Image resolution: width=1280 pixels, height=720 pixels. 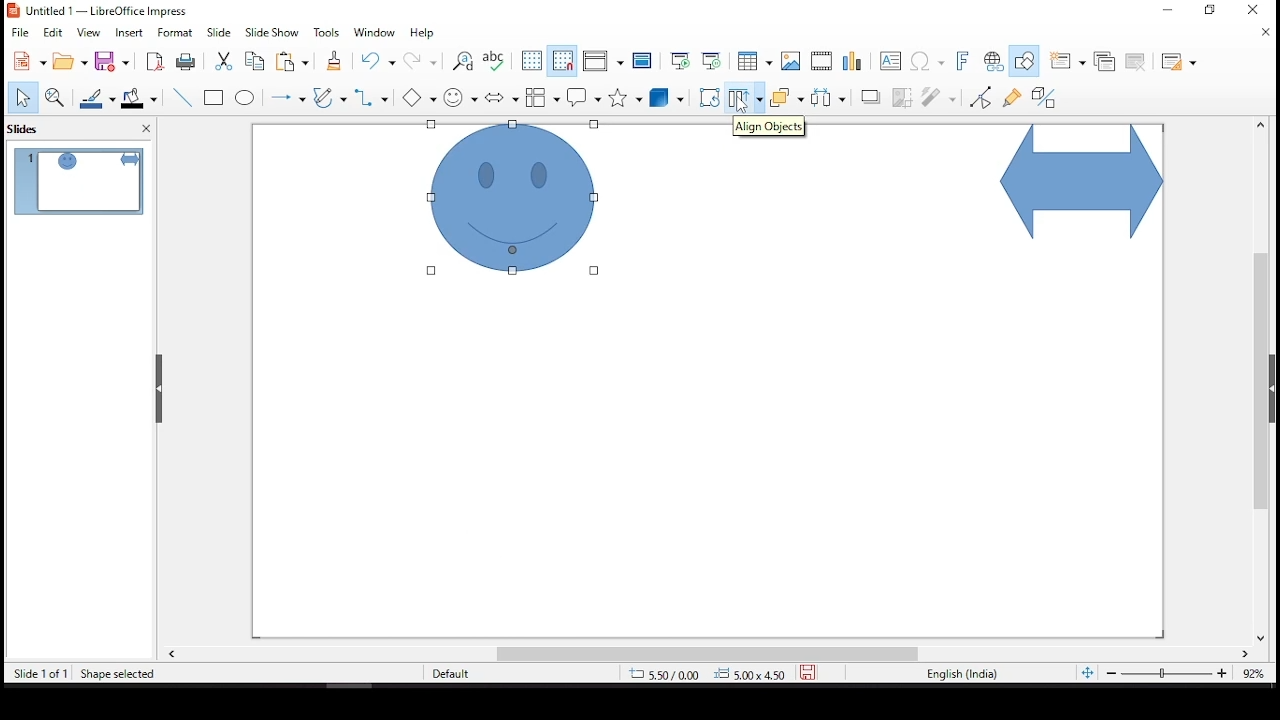 I want to click on show gluepoint functions, so click(x=1011, y=96).